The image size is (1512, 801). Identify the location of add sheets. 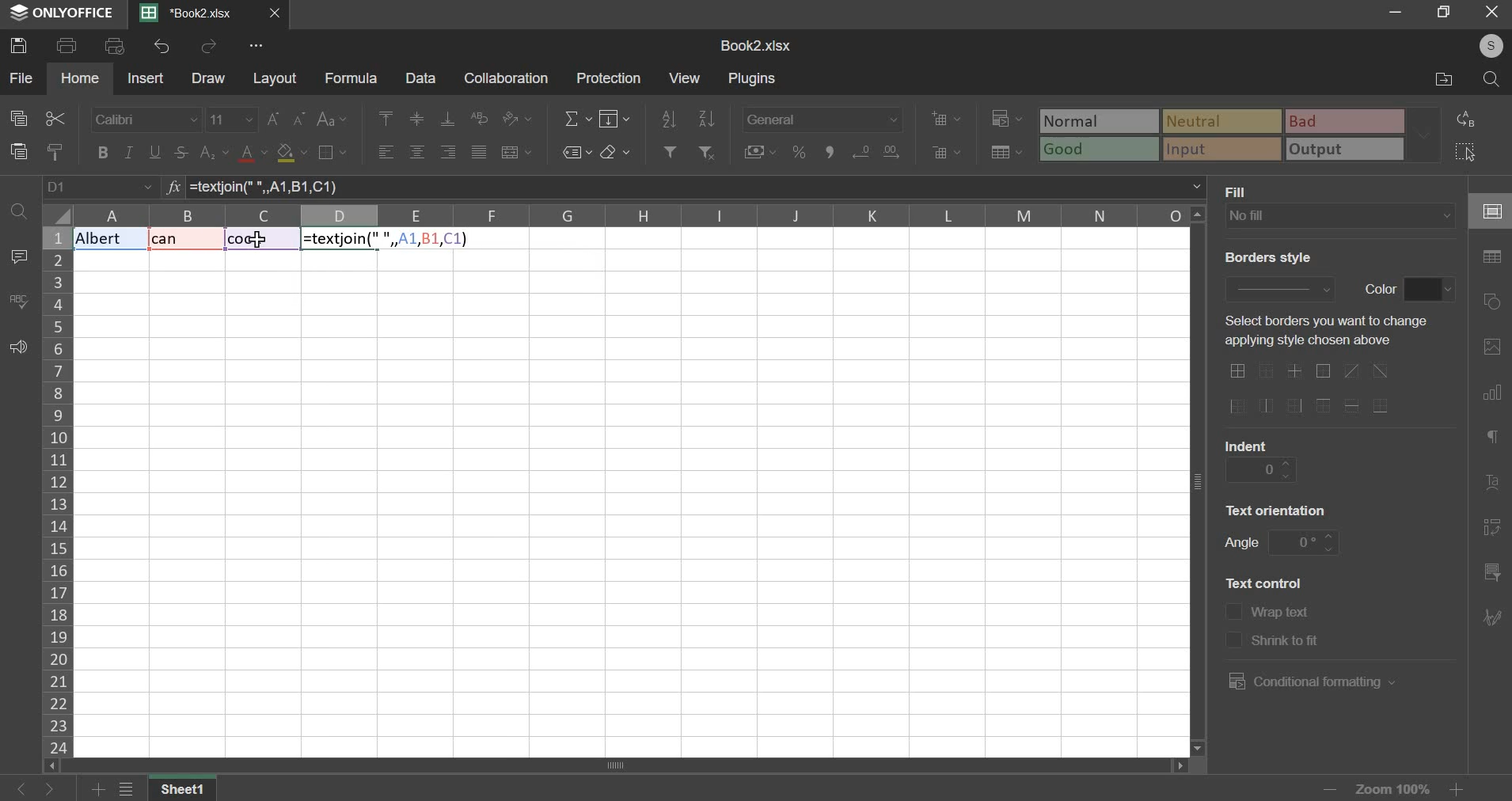
(98, 790).